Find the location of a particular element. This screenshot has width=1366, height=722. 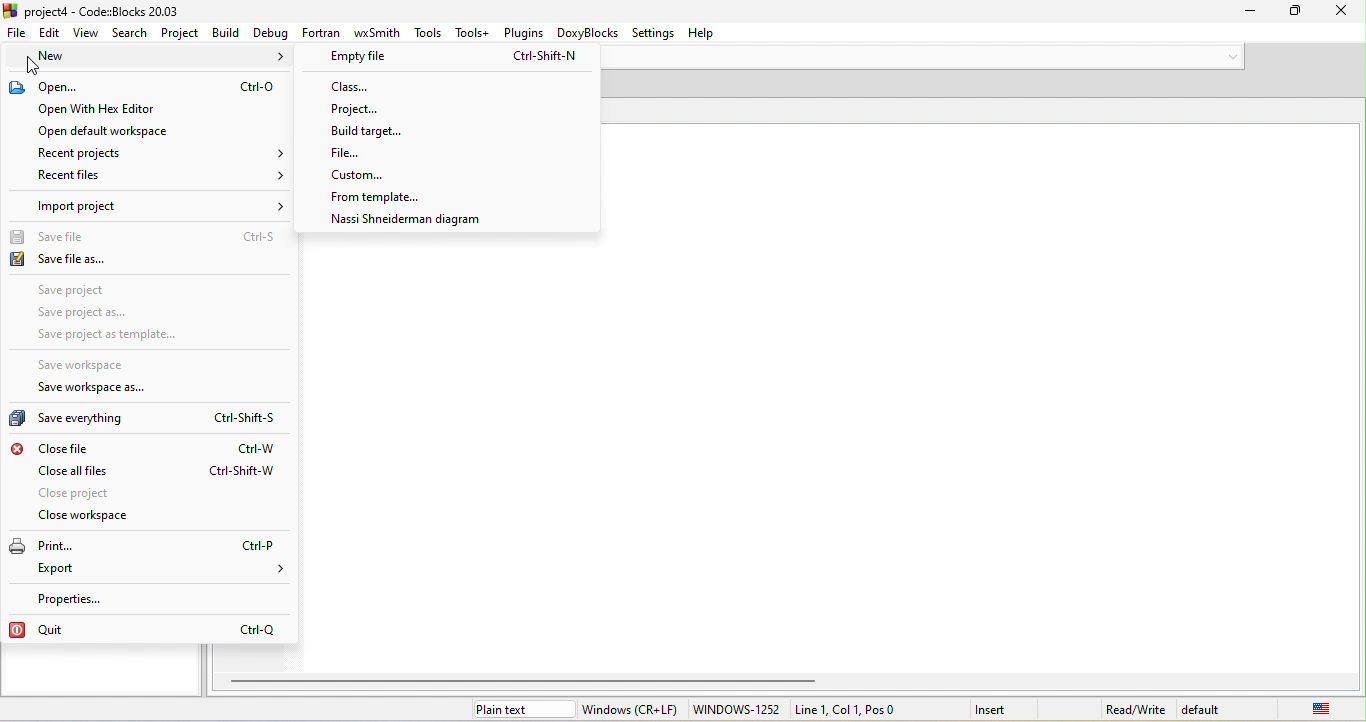

close project is located at coordinates (97, 493).